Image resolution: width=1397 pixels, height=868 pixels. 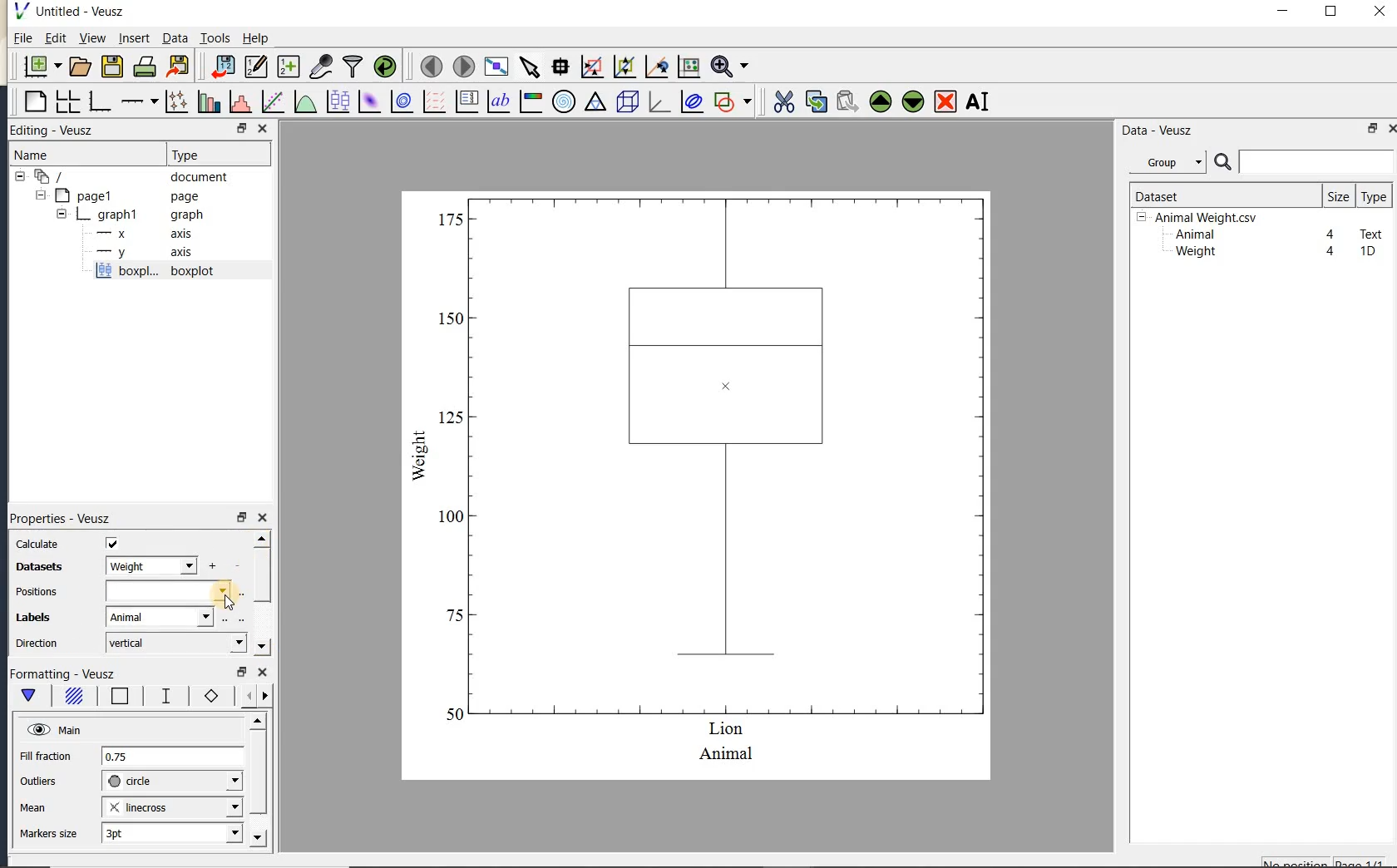 What do you see at coordinates (400, 101) in the screenshot?
I see `plot a 2d dataset as contours` at bounding box center [400, 101].